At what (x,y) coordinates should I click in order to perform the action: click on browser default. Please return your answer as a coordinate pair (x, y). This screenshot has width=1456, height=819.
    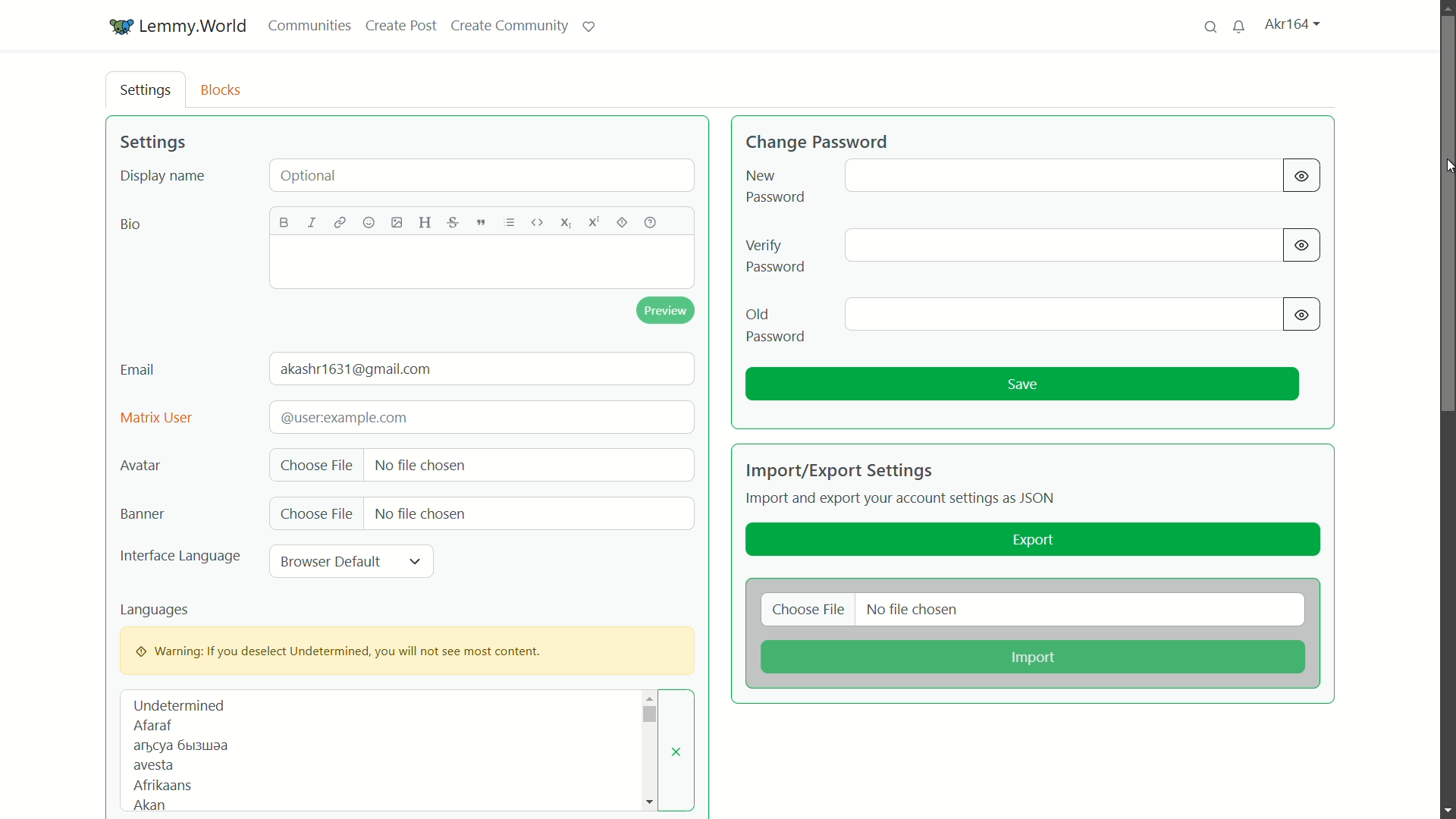
    Looking at the image, I should click on (327, 562).